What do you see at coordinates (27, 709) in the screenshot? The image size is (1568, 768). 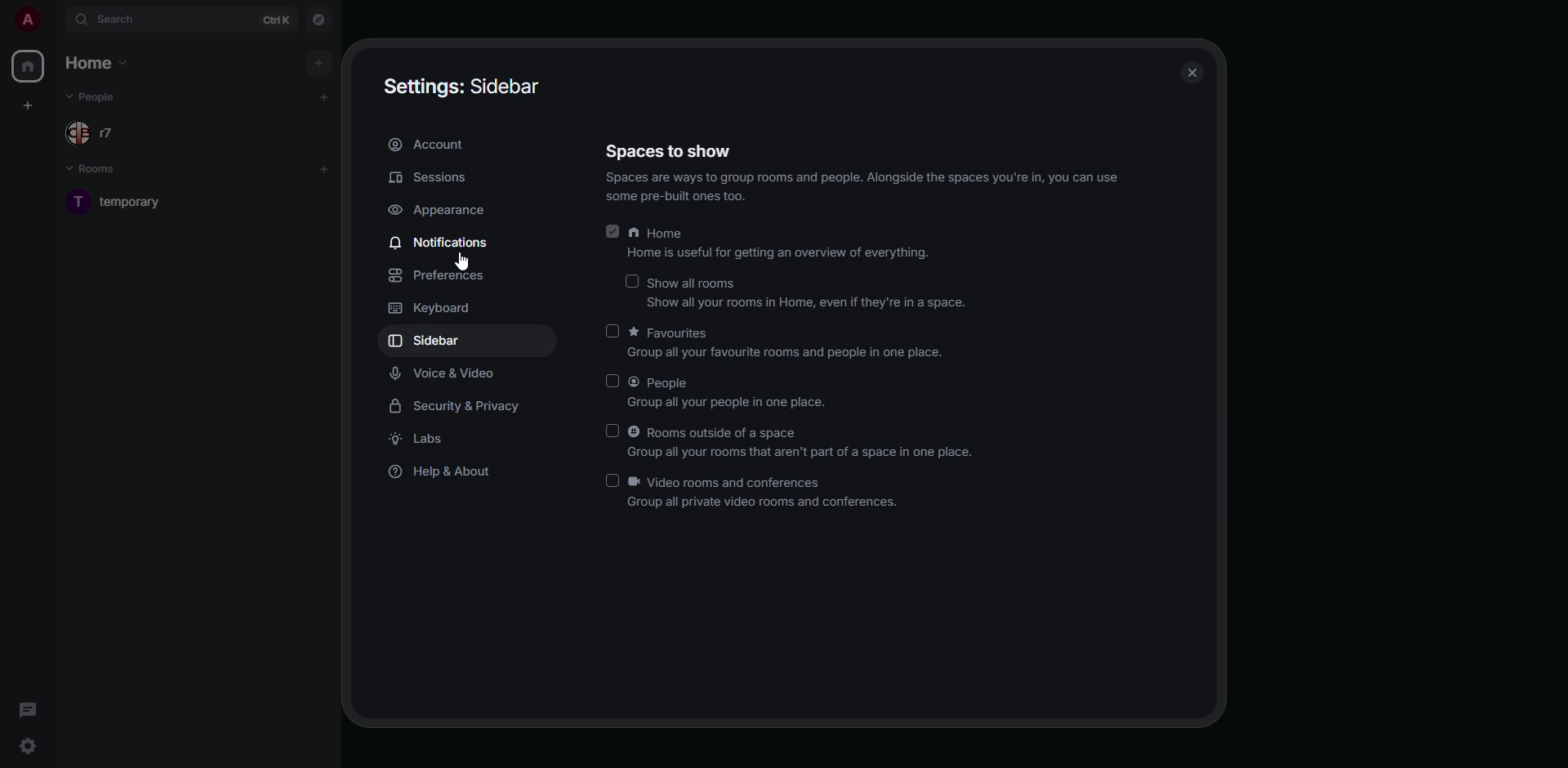 I see `threads` at bounding box center [27, 709].